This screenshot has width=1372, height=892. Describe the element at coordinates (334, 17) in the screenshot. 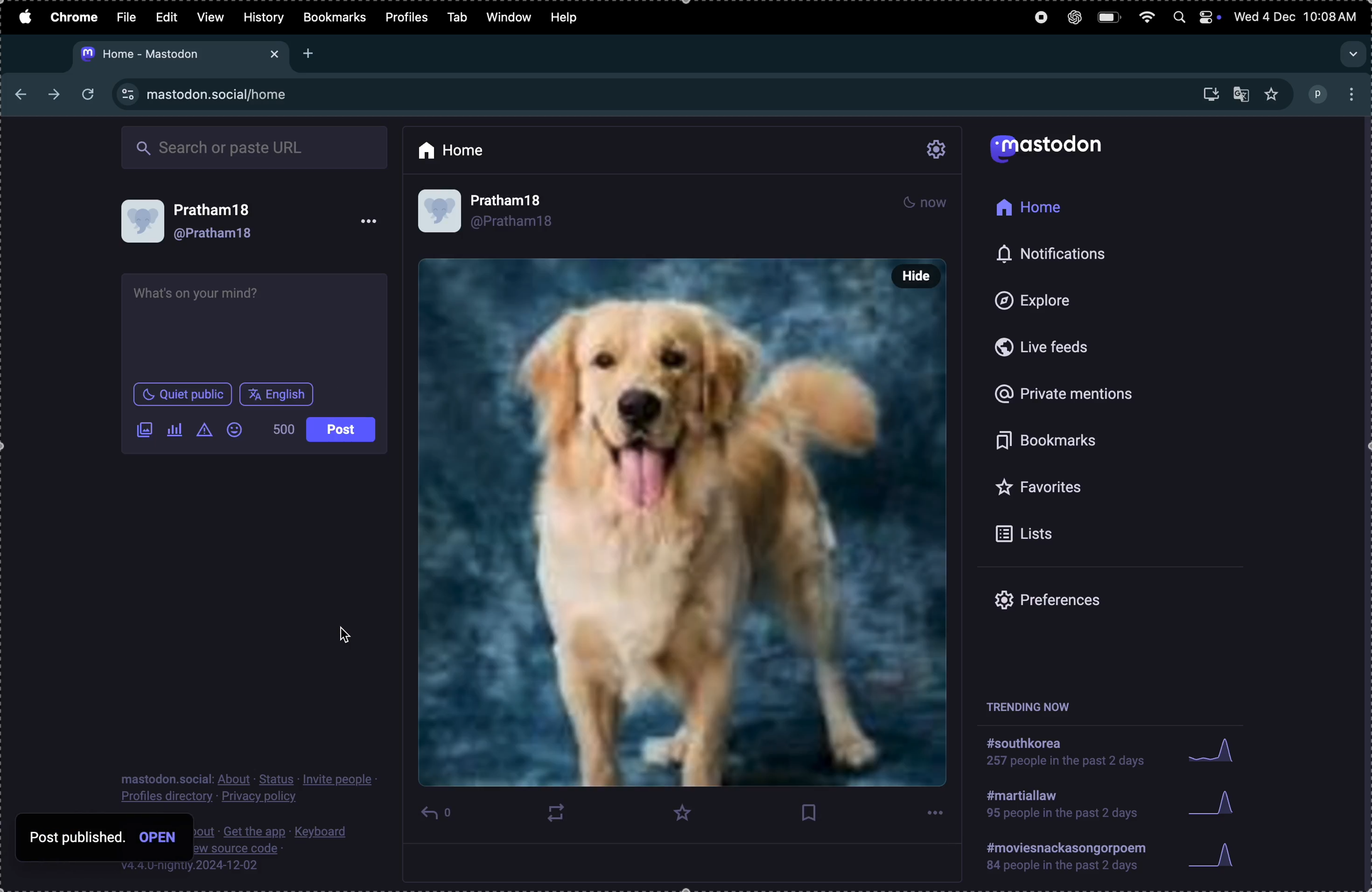

I see `Bookmarks` at that location.